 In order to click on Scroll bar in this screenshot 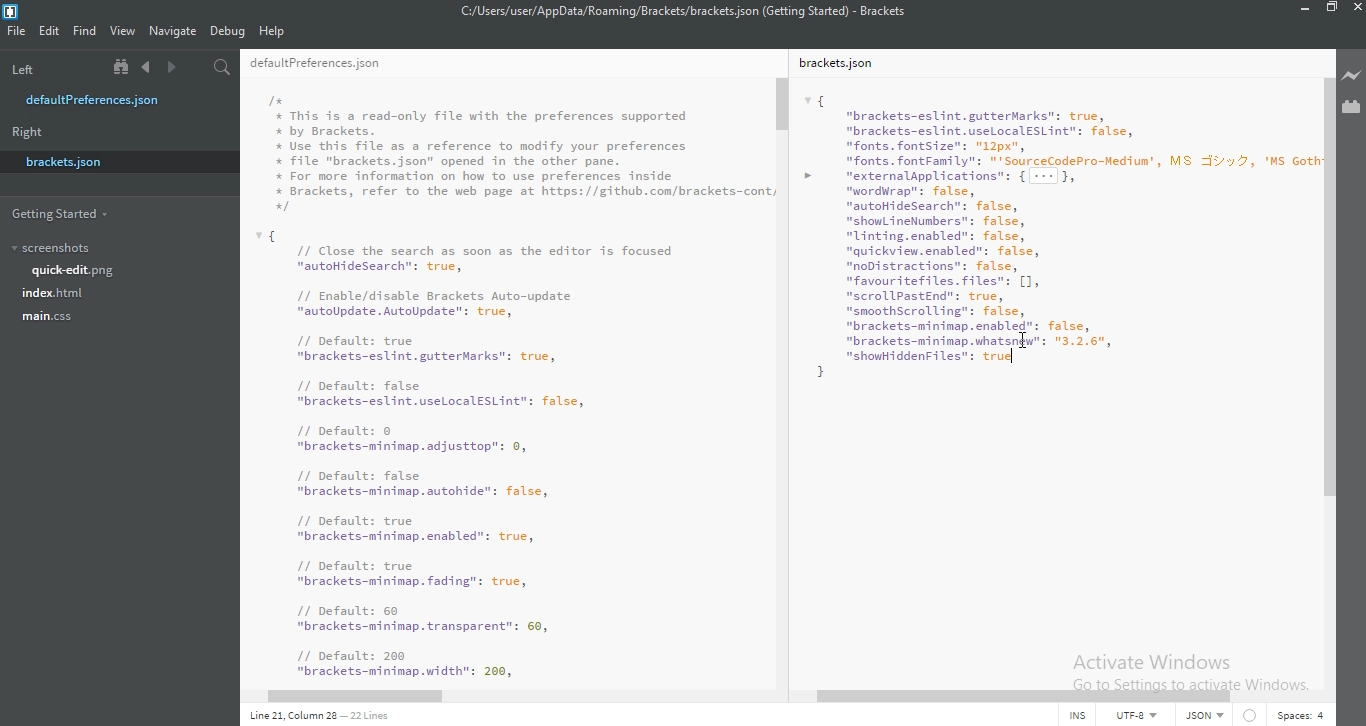, I will do `click(944, 697)`.